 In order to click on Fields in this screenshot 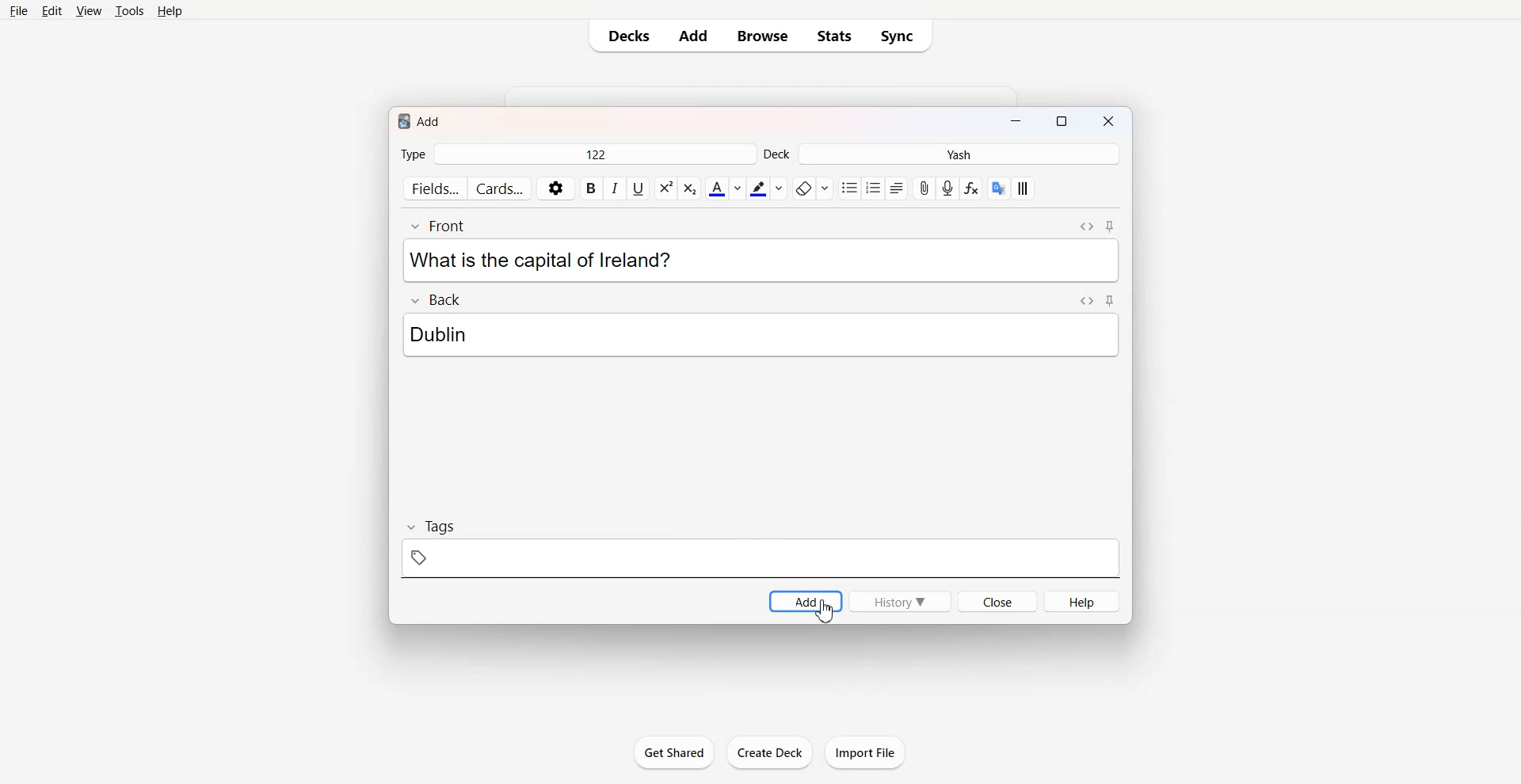, I will do `click(434, 188)`.